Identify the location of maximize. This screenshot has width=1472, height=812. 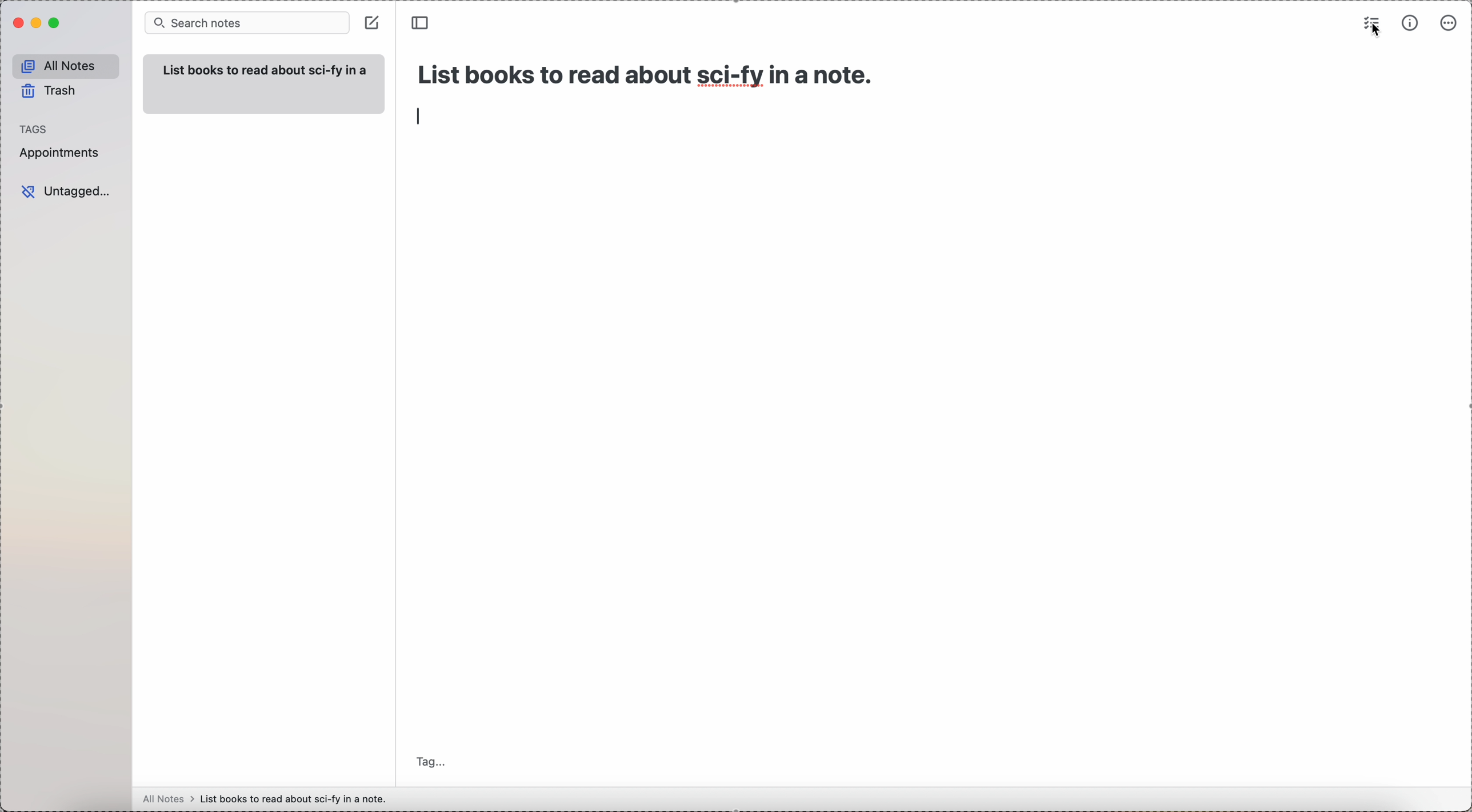
(54, 25).